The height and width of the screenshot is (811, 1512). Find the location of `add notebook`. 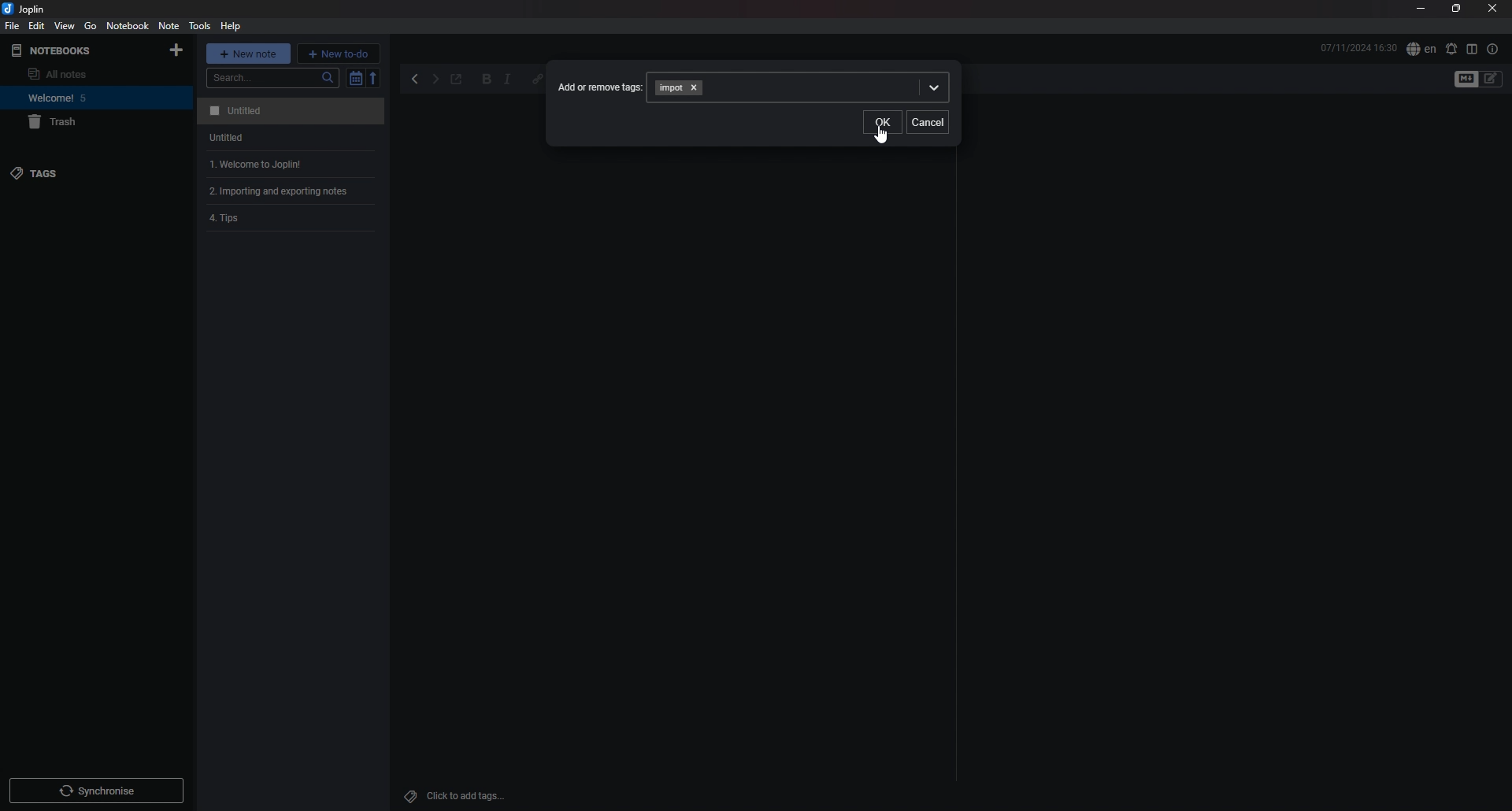

add notebook is located at coordinates (176, 50).